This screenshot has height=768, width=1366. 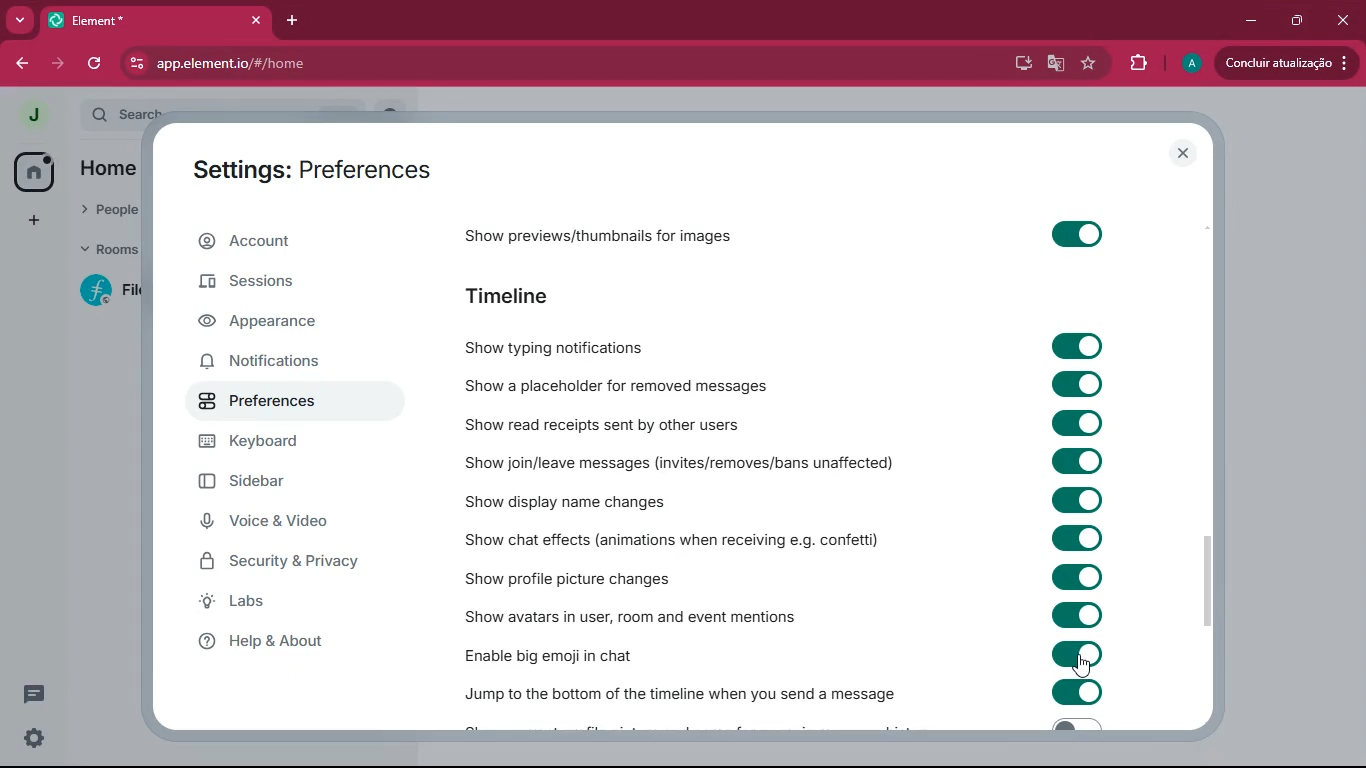 I want to click on show join / leave messages (invites/removes/ban unaffected), so click(x=703, y=459).